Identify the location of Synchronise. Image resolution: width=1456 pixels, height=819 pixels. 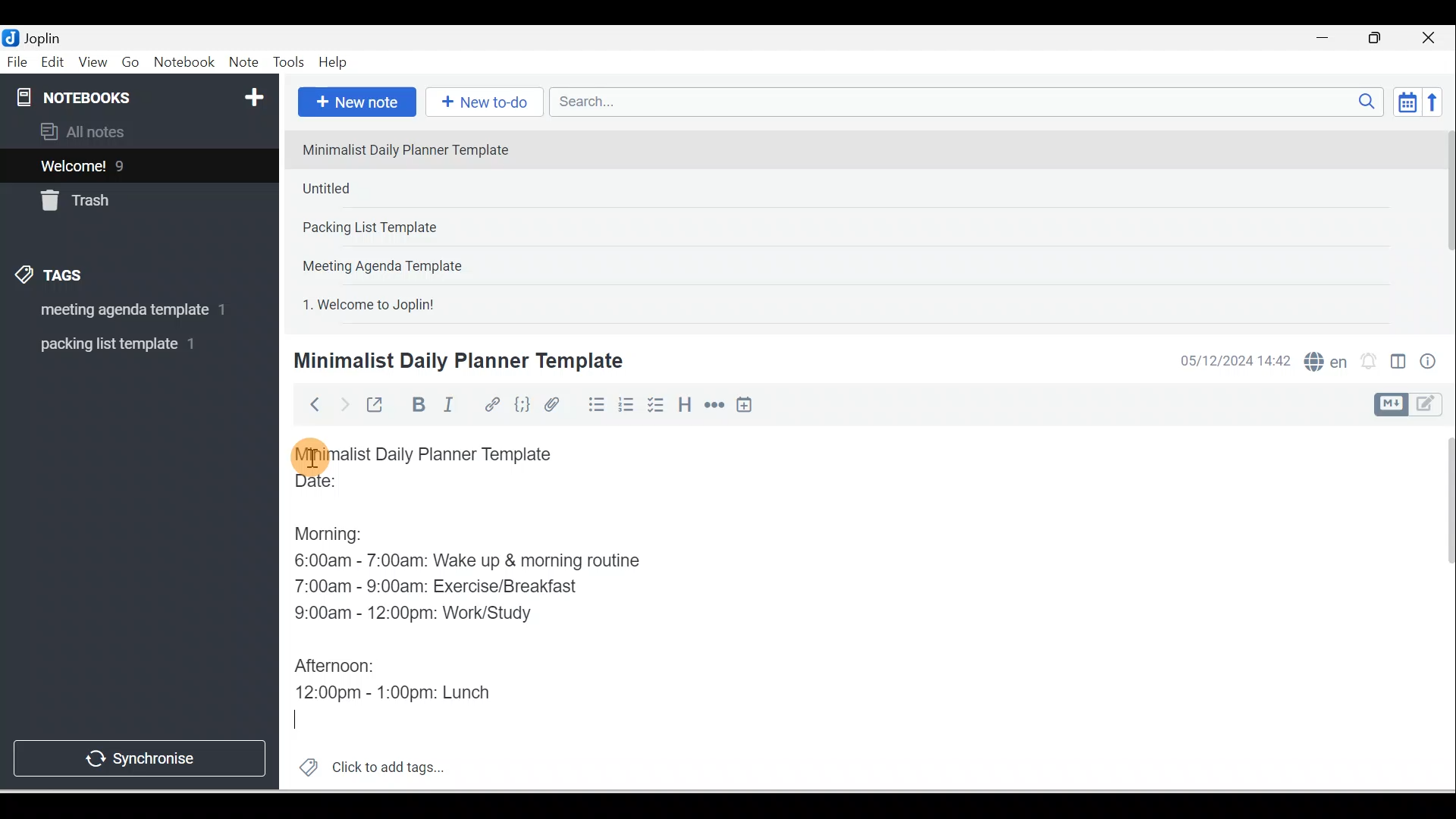
(138, 755).